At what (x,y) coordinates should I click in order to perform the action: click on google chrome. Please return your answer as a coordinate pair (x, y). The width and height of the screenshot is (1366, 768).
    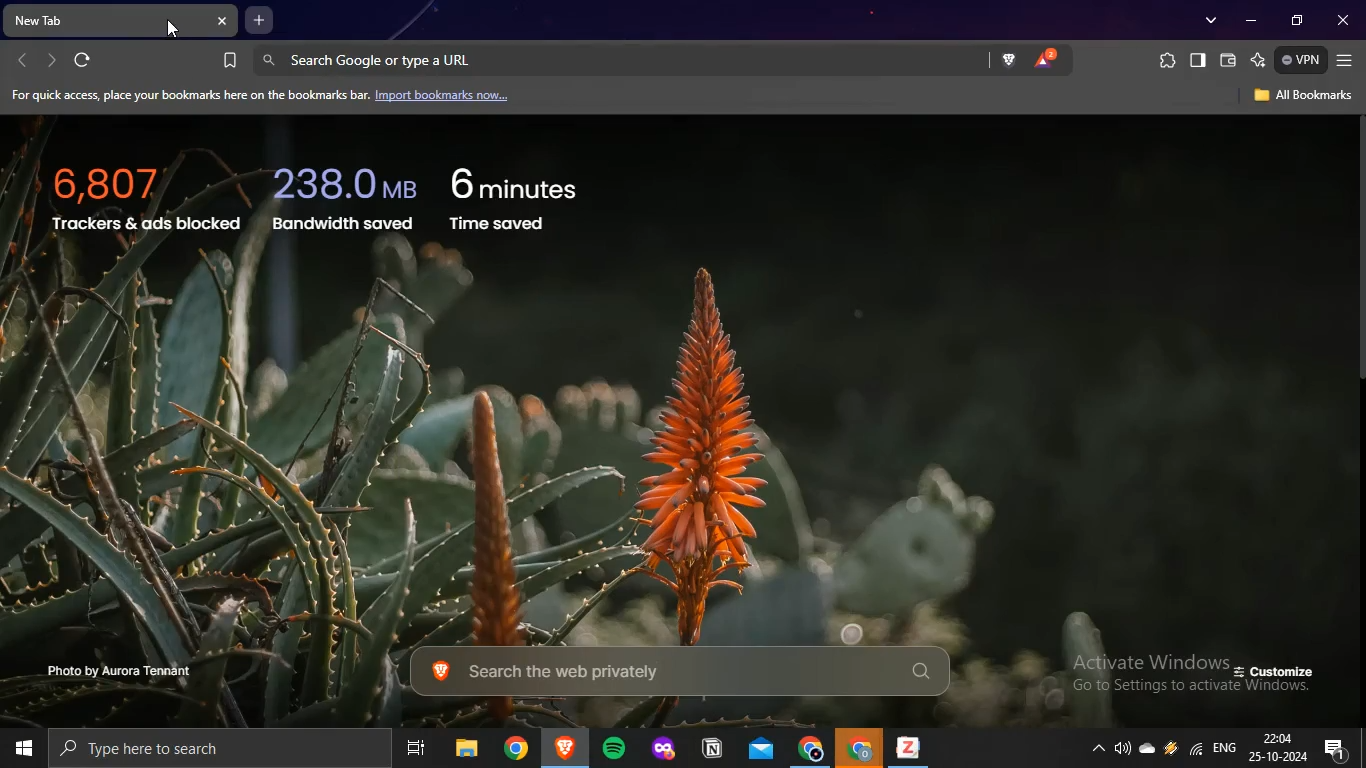
    Looking at the image, I should click on (518, 749).